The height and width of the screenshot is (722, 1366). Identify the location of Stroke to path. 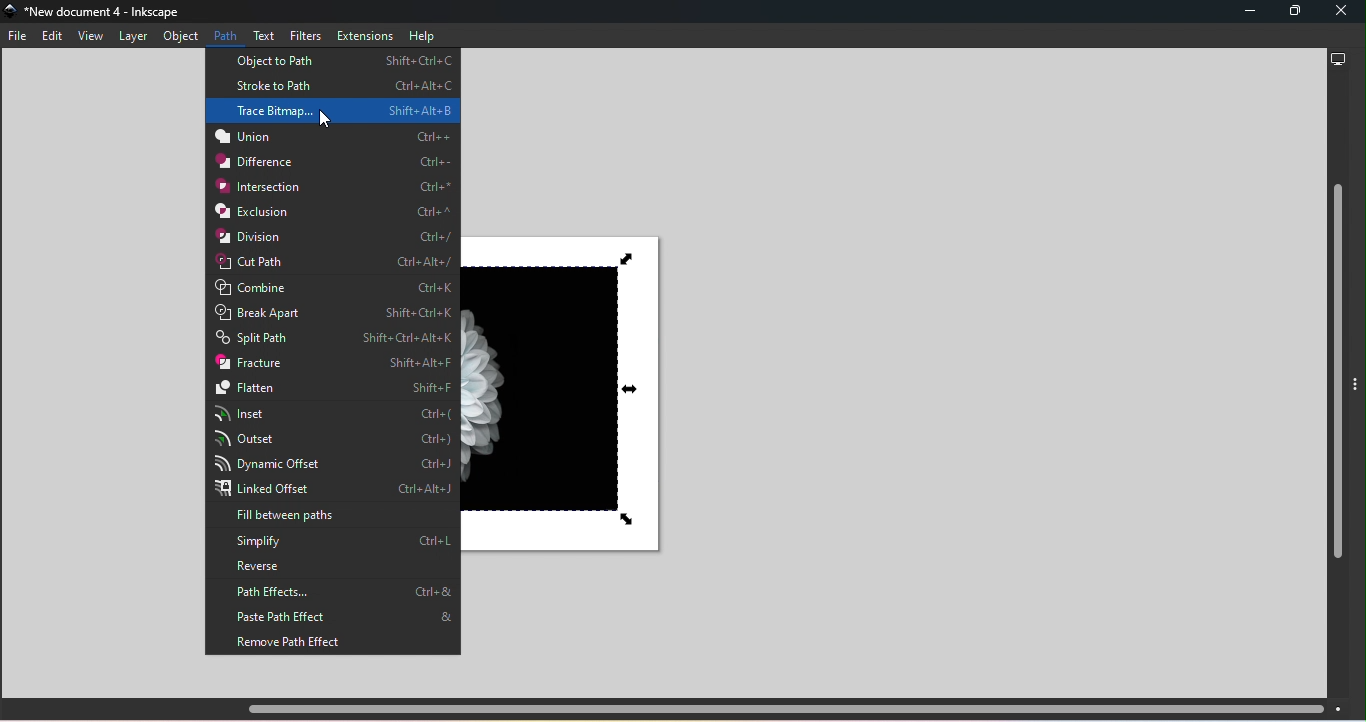
(338, 85).